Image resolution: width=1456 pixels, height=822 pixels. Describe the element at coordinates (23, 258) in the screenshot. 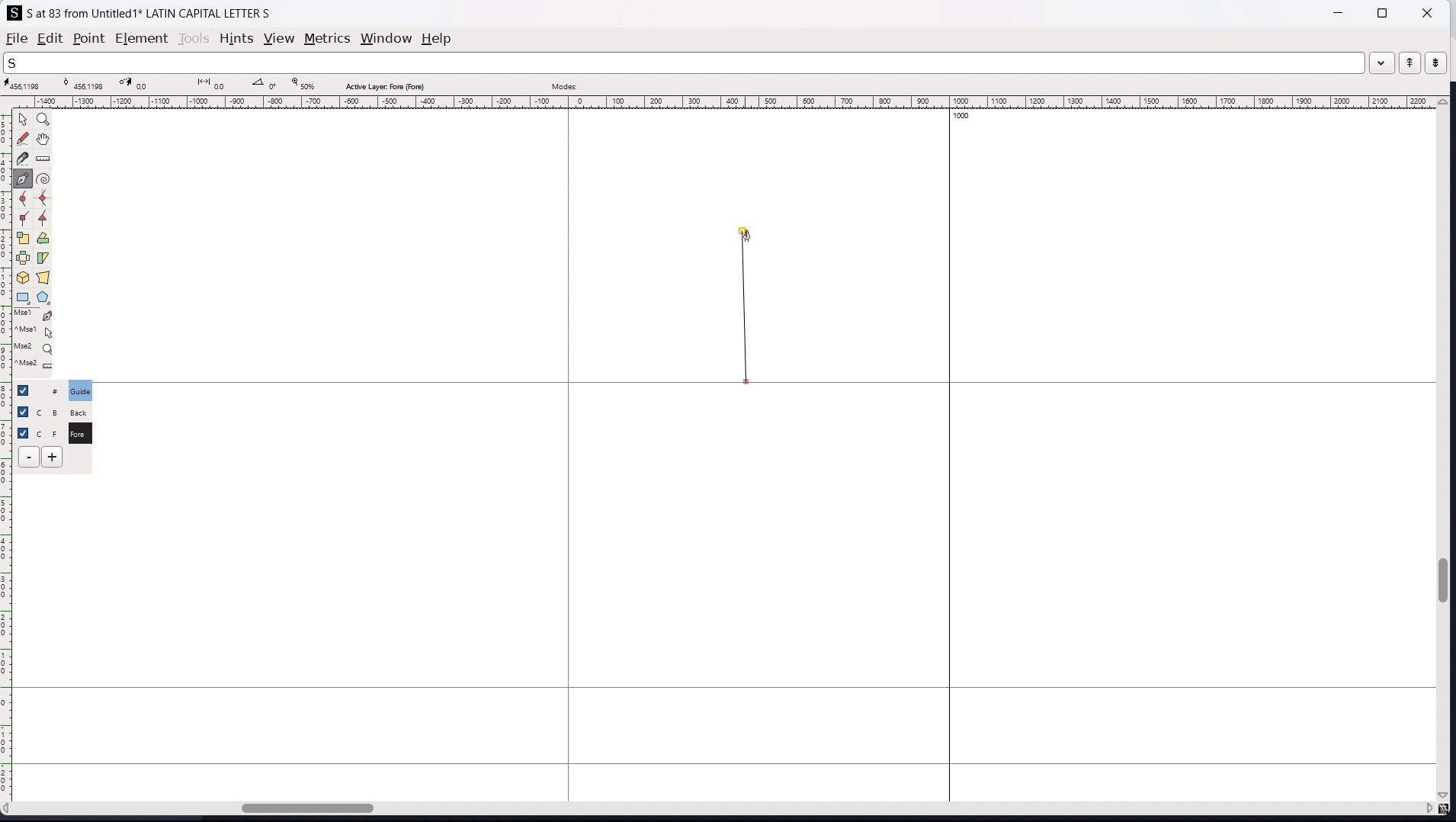

I see `flip the selection` at that location.